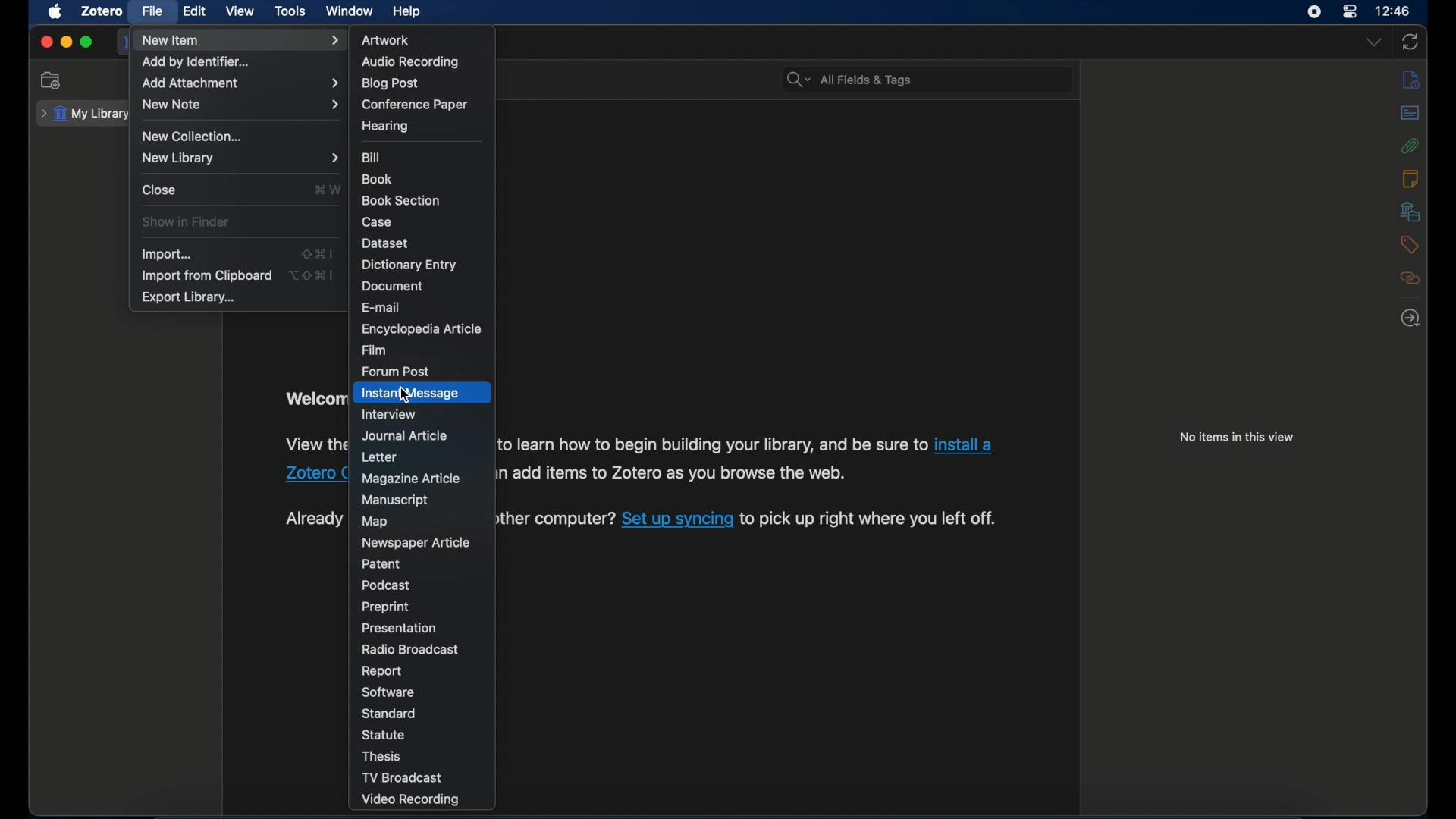 The width and height of the screenshot is (1456, 819). I want to click on audio recording, so click(411, 62).